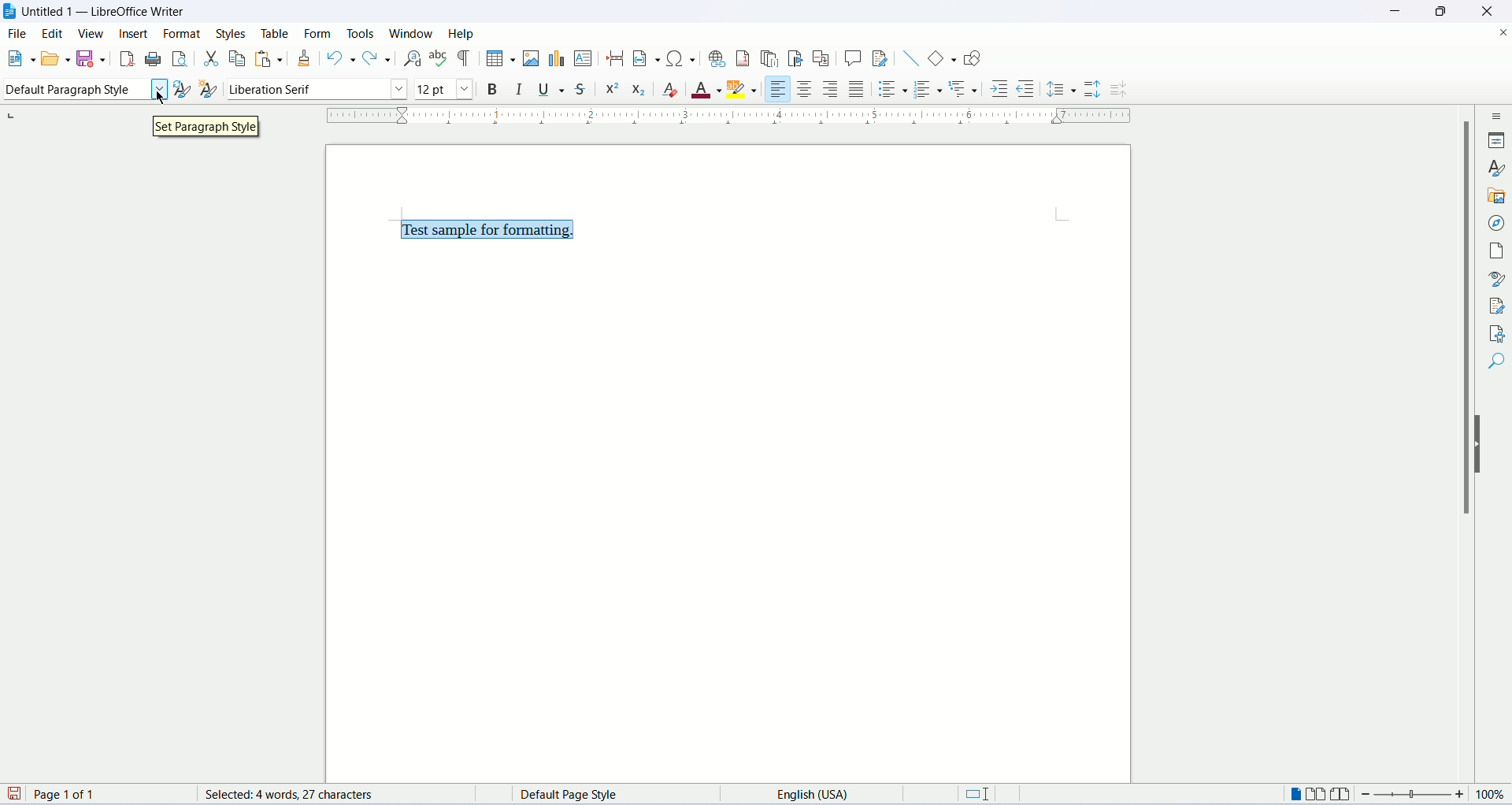  I want to click on insert, so click(135, 37).